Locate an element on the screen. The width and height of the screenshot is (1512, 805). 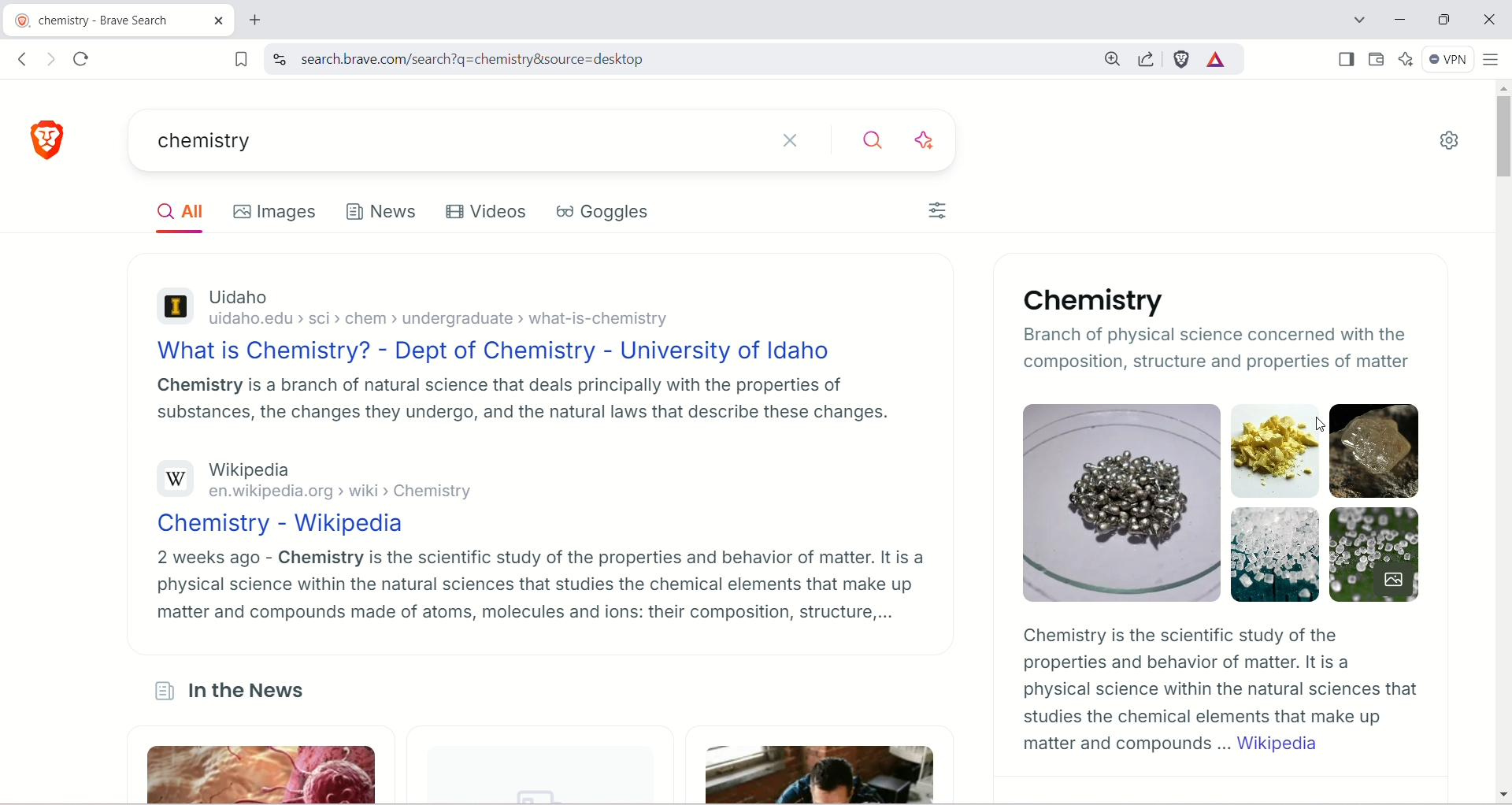
go forward is located at coordinates (54, 60).